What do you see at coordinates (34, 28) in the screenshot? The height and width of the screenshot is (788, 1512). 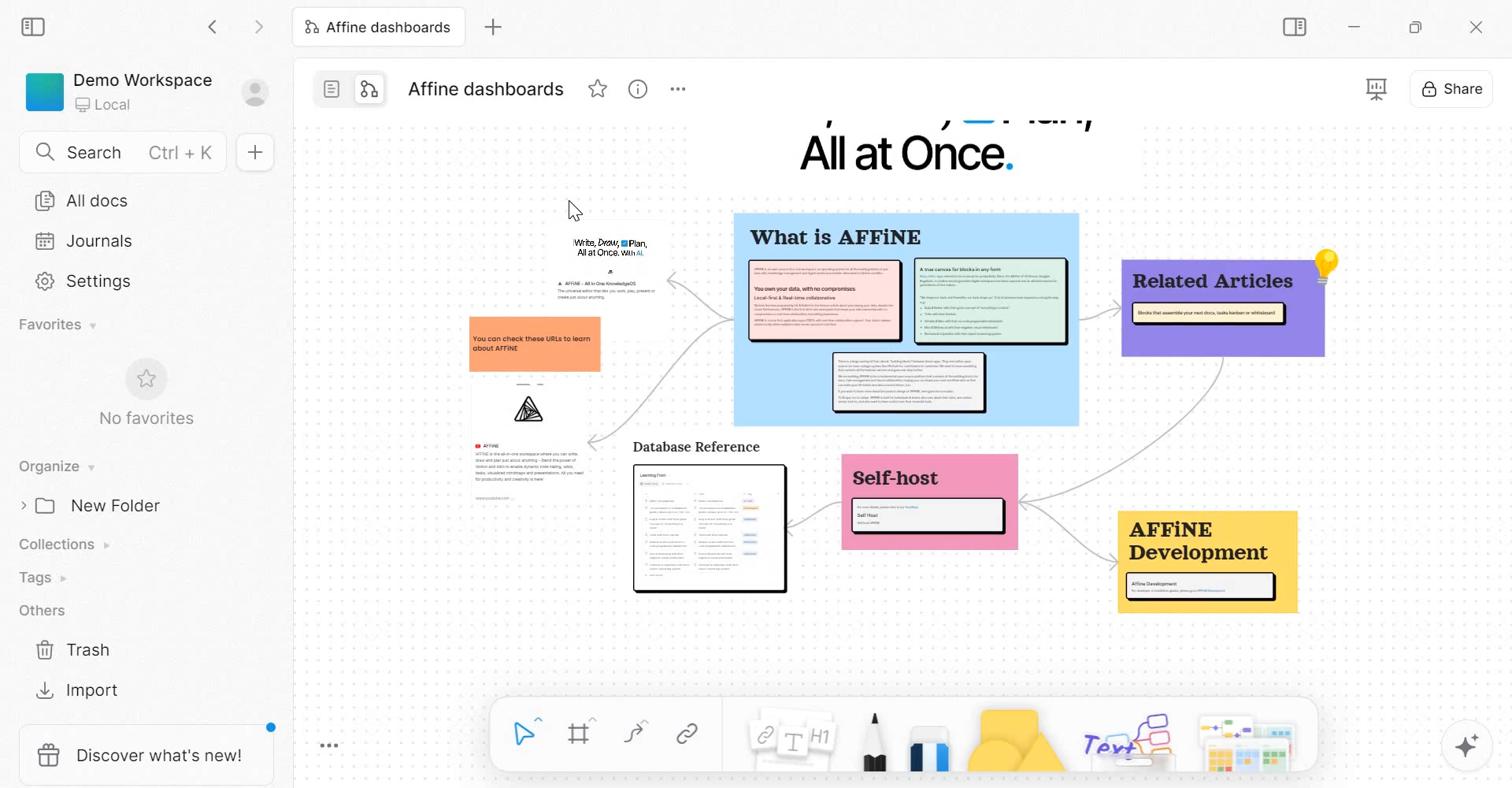 I see `collapse sidebar` at bounding box center [34, 28].